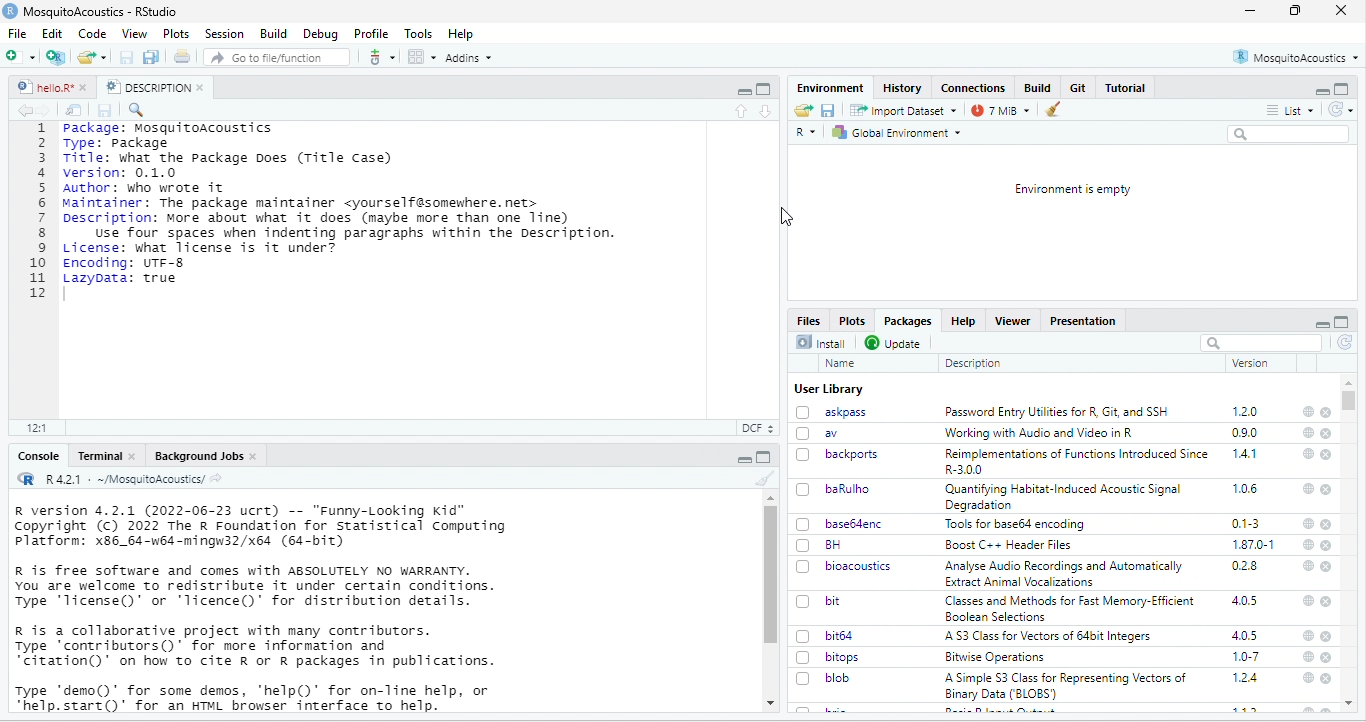 Image resolution: width=1366 pixels, height=722 pixels. I want to click on 4.0.5, so click(1246, 600).